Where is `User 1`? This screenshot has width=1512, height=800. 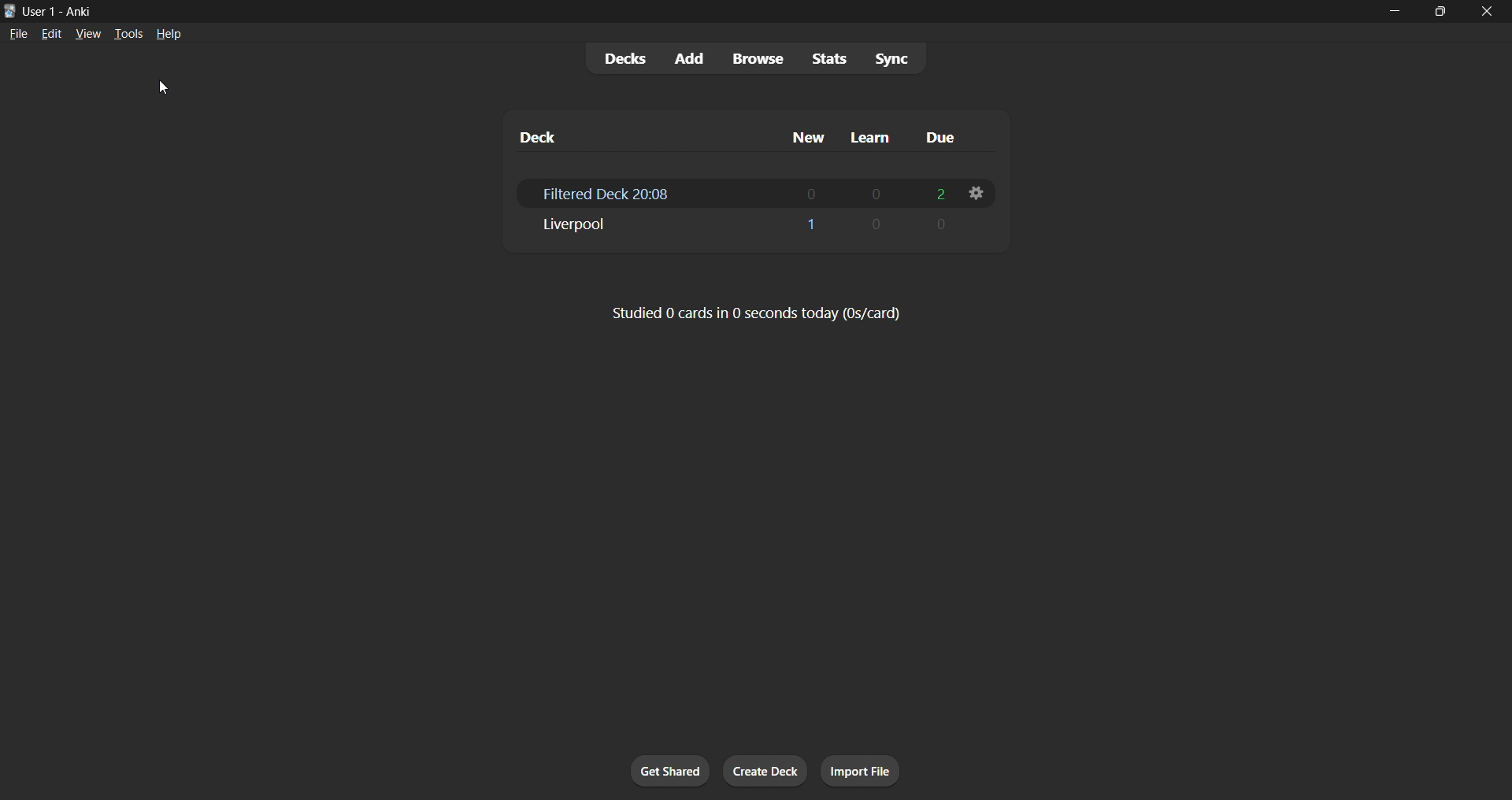
User 1 is located at coordinates (39, 10).